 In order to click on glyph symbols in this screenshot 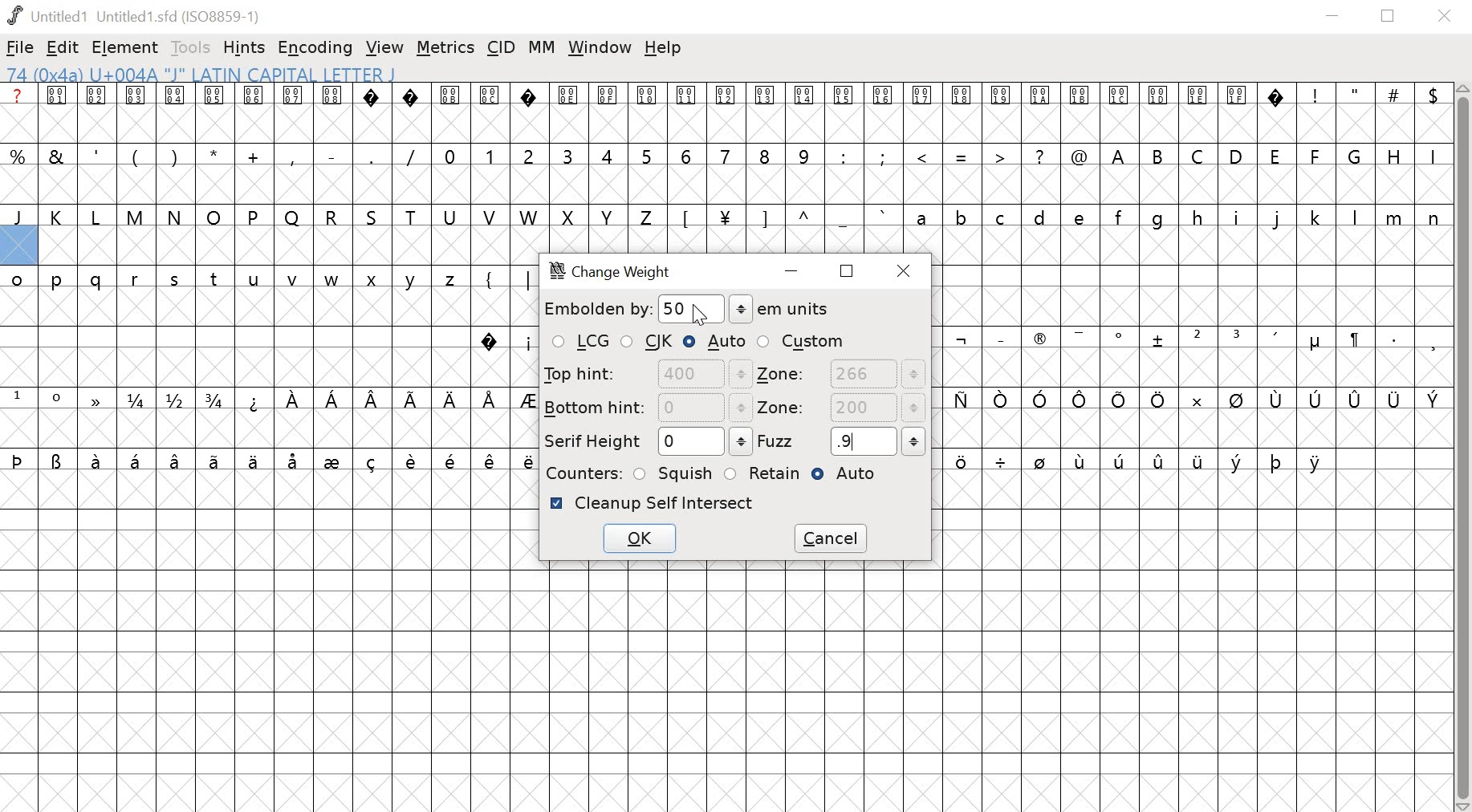, I will do `click(644, 95)`.